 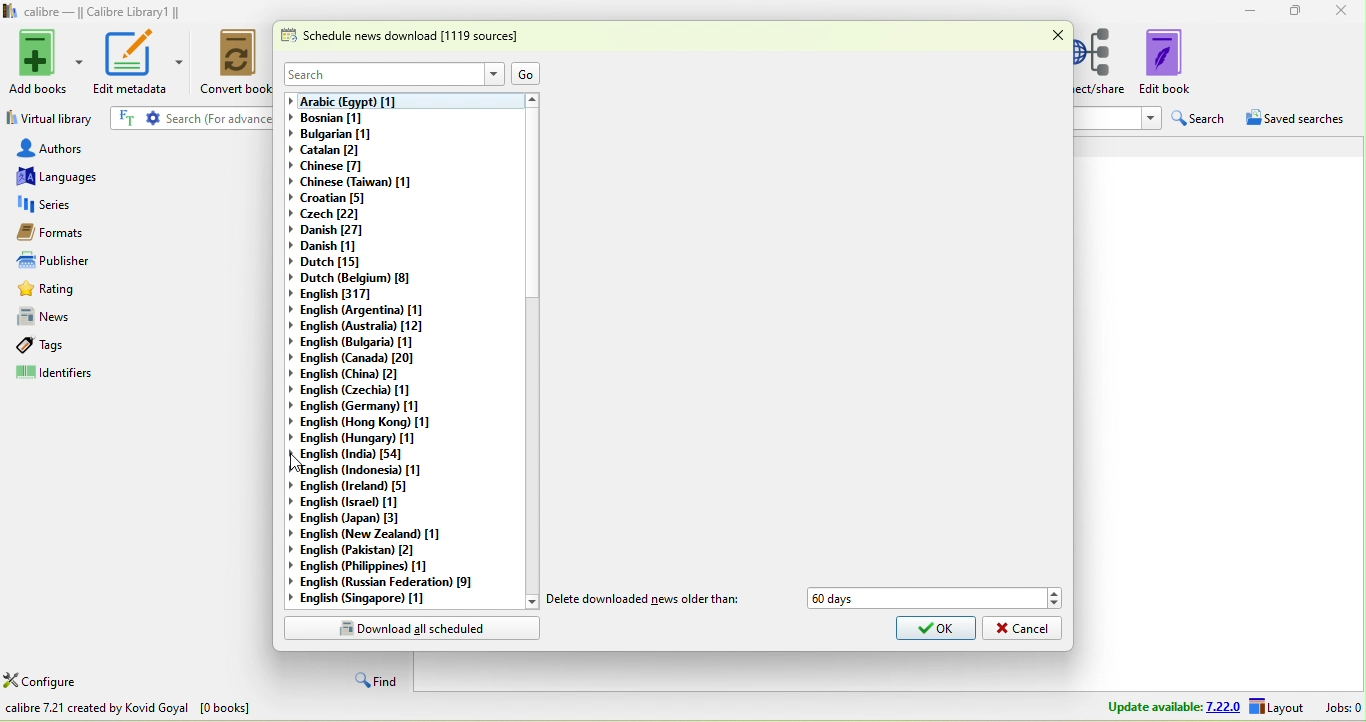 I want to click on maximize, so click(x=1300, y=12).